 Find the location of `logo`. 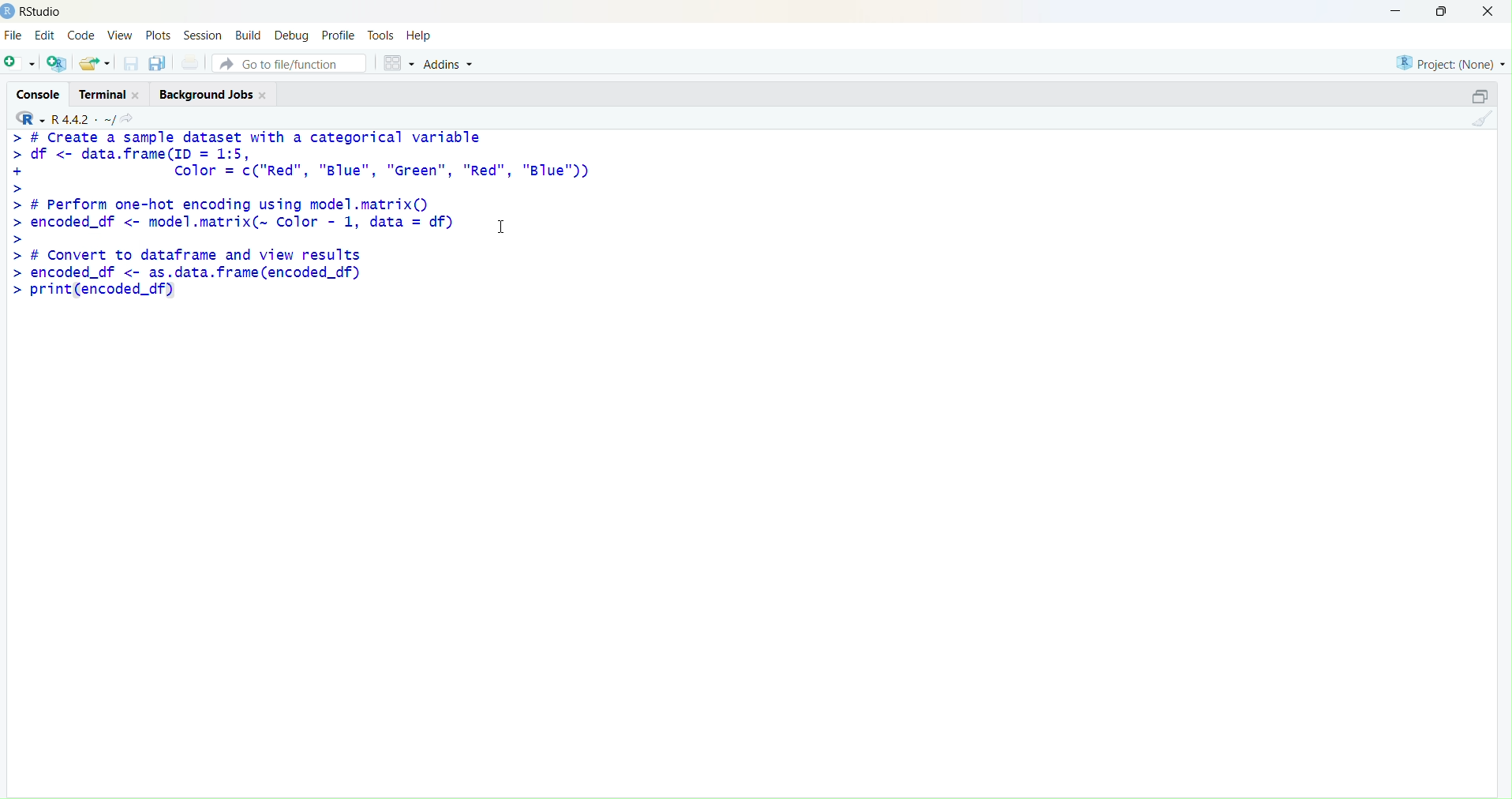

logo is located at coordinates (9, 13).